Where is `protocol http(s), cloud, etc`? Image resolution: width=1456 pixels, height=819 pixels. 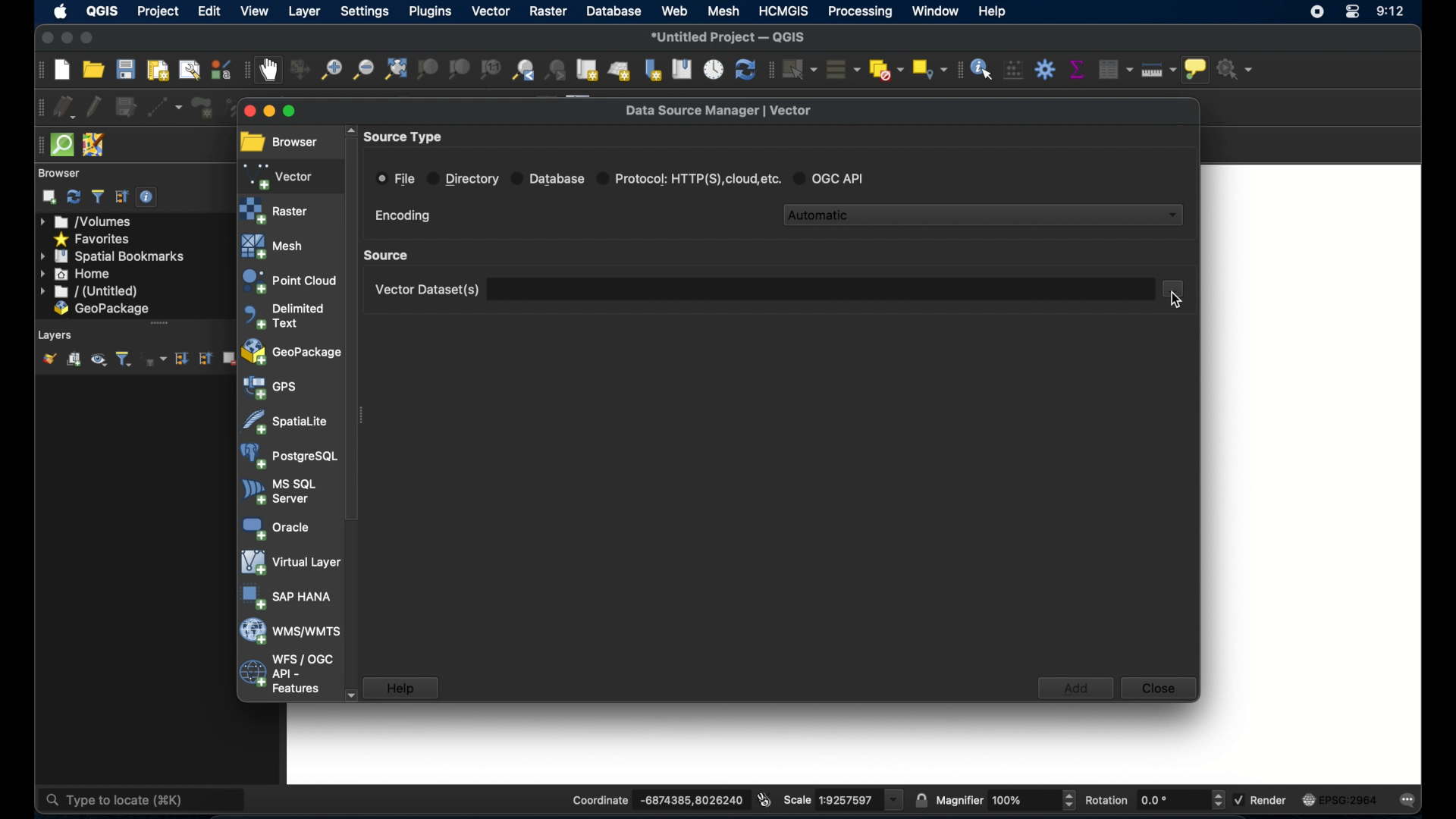
protocol http(s), cloud, etc is located at coordinates (690, 177).